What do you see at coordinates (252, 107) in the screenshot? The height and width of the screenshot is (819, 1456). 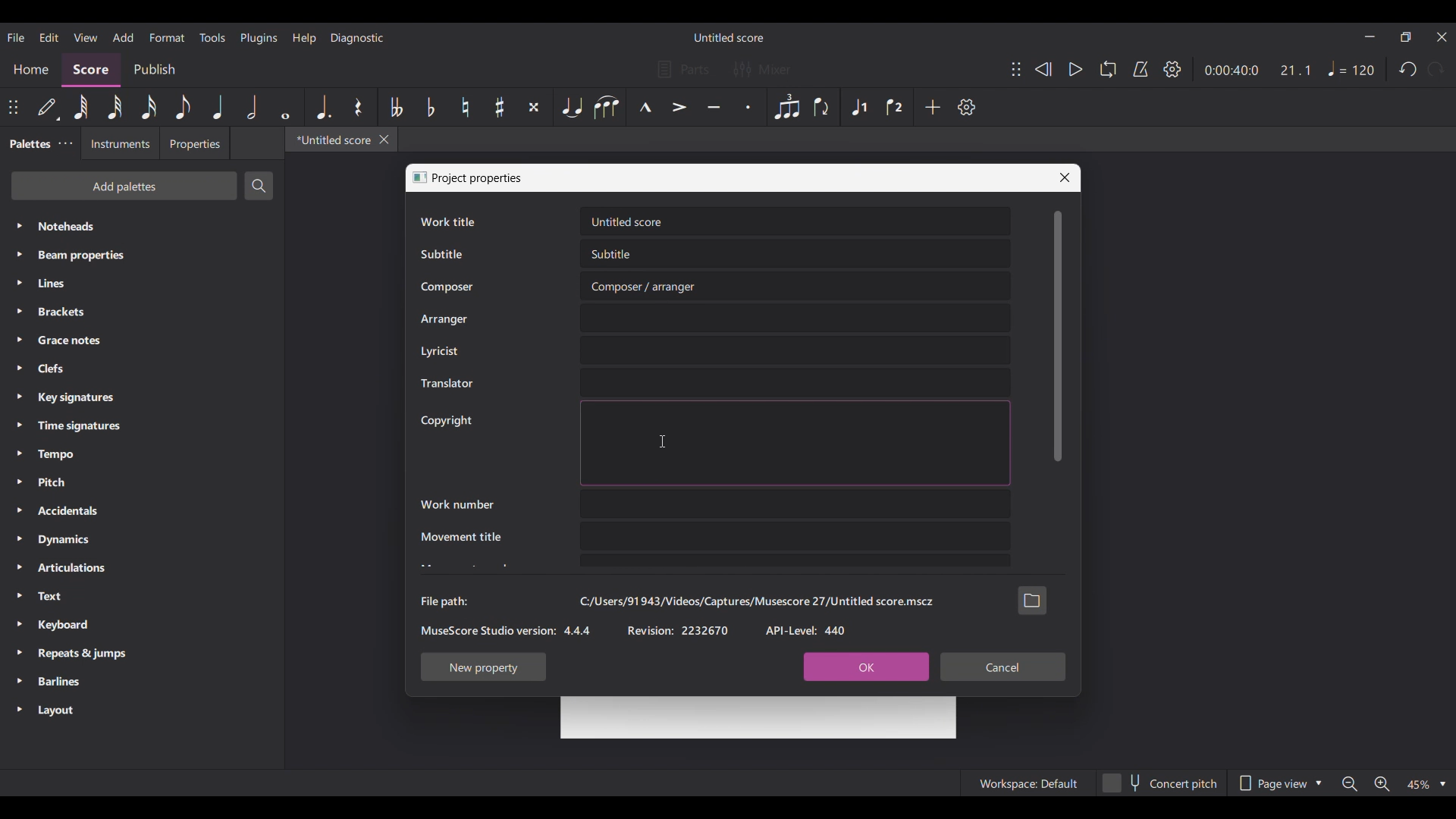 I see `Half note` at bounding box center [252, 107].